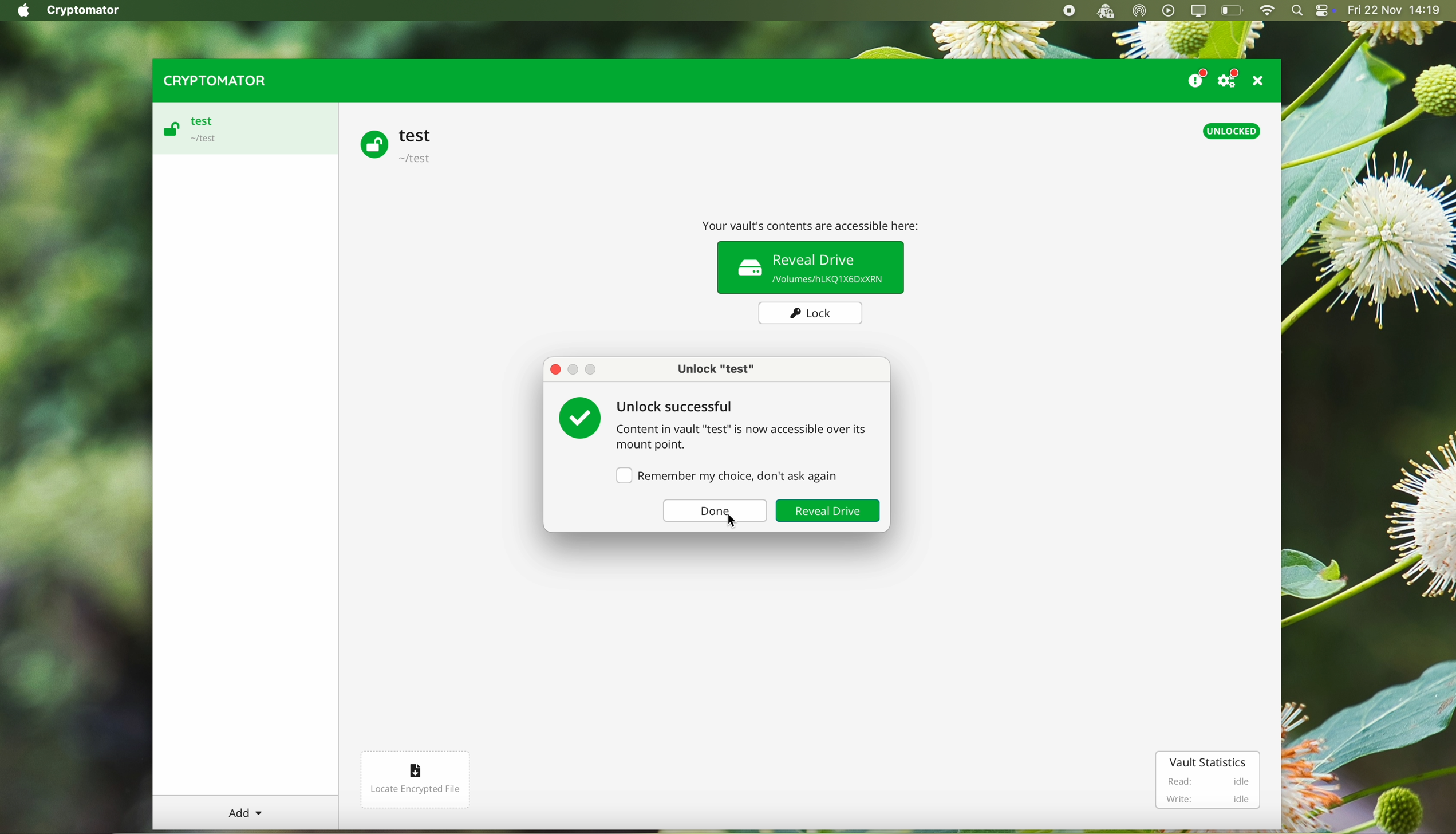  What do you see at coordinates (212, 80) in the screenshot?
I see `cryptomator` at bounding box center [212, 80].